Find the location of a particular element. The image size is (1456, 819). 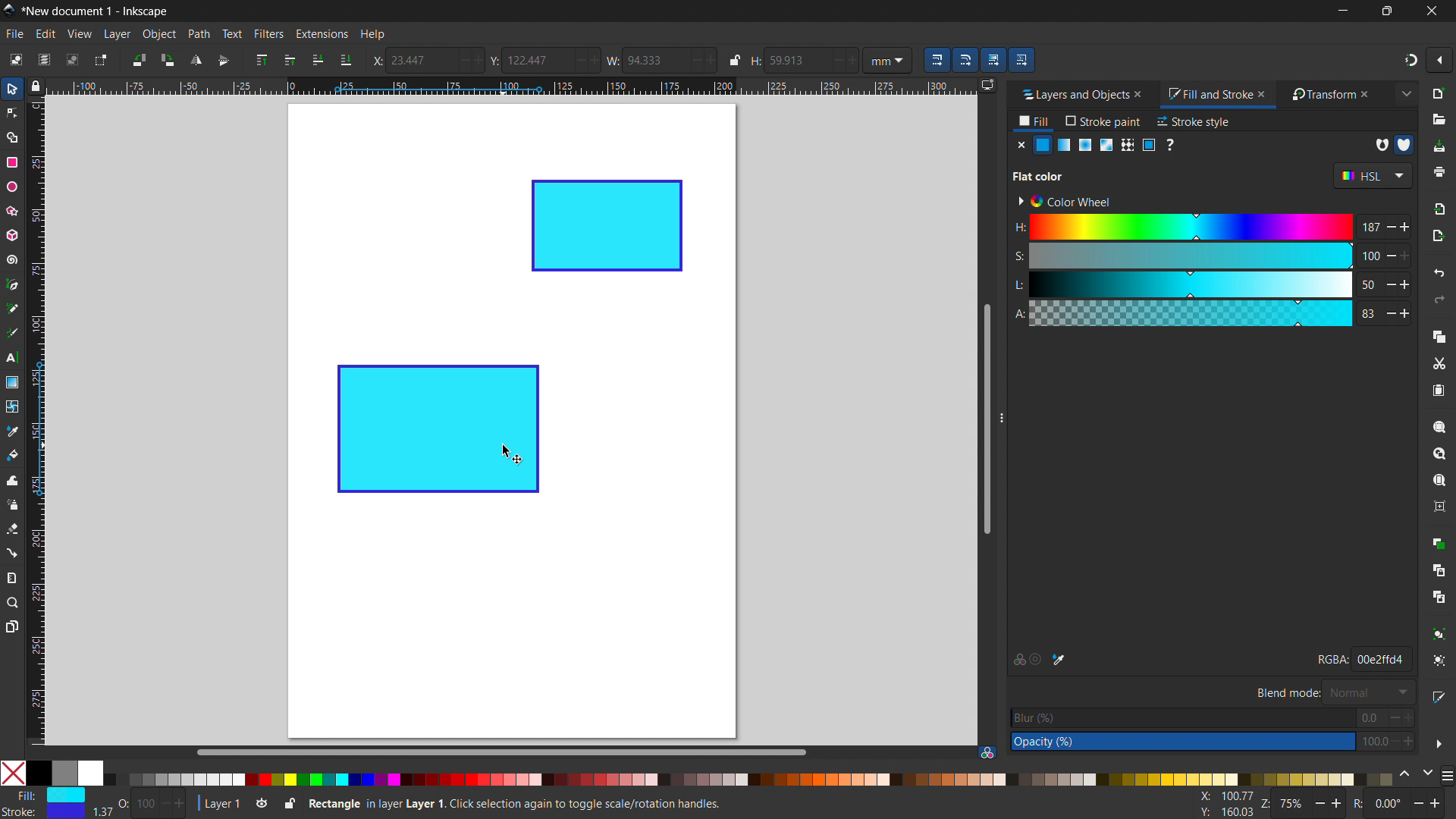

snapping options is located at coordinates (1439, 60).